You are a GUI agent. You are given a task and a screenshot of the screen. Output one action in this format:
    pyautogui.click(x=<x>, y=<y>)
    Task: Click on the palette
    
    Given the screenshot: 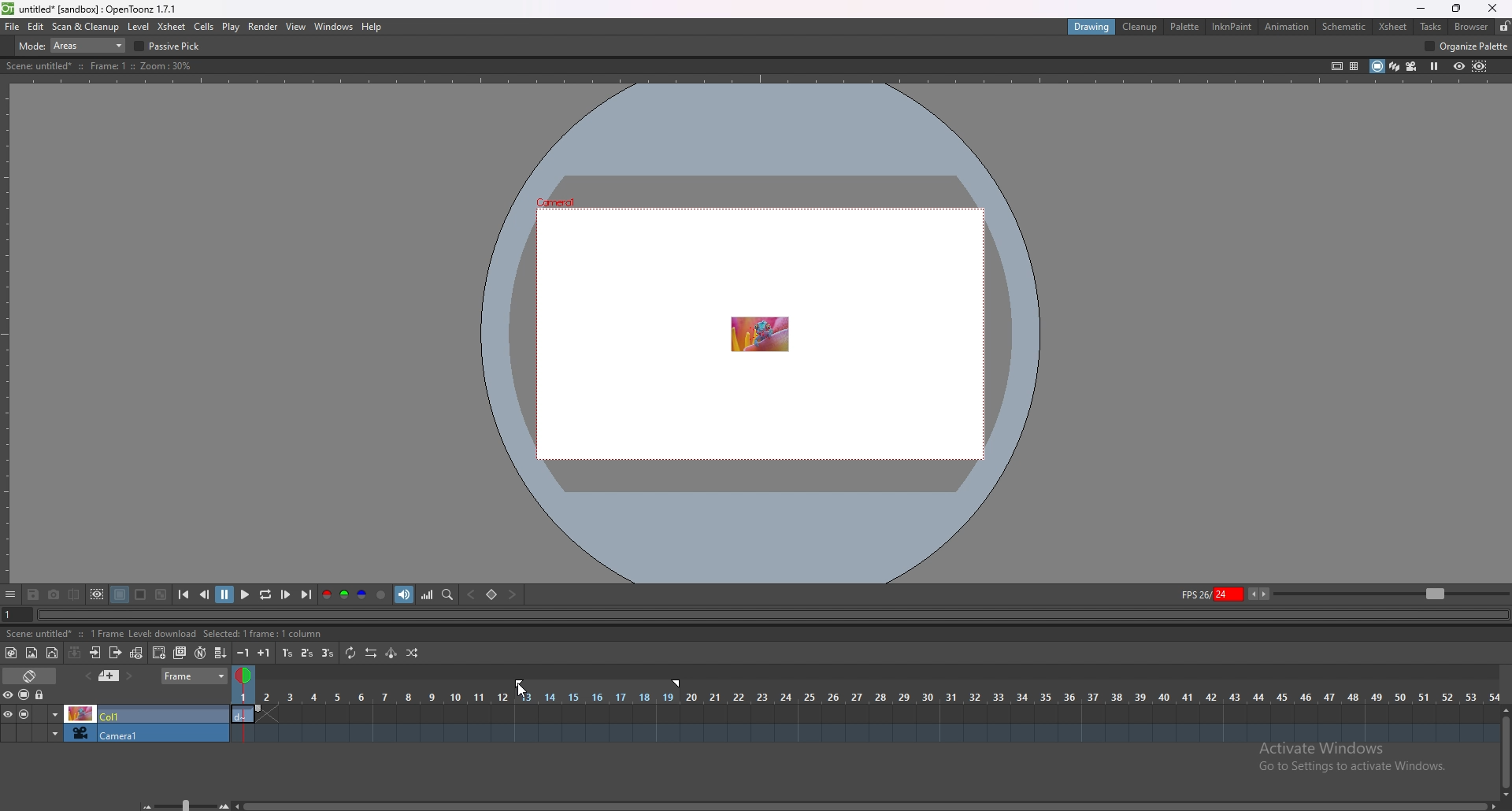 What is the action you would take?
    pyautogui.click(x=1186, y=27)
    